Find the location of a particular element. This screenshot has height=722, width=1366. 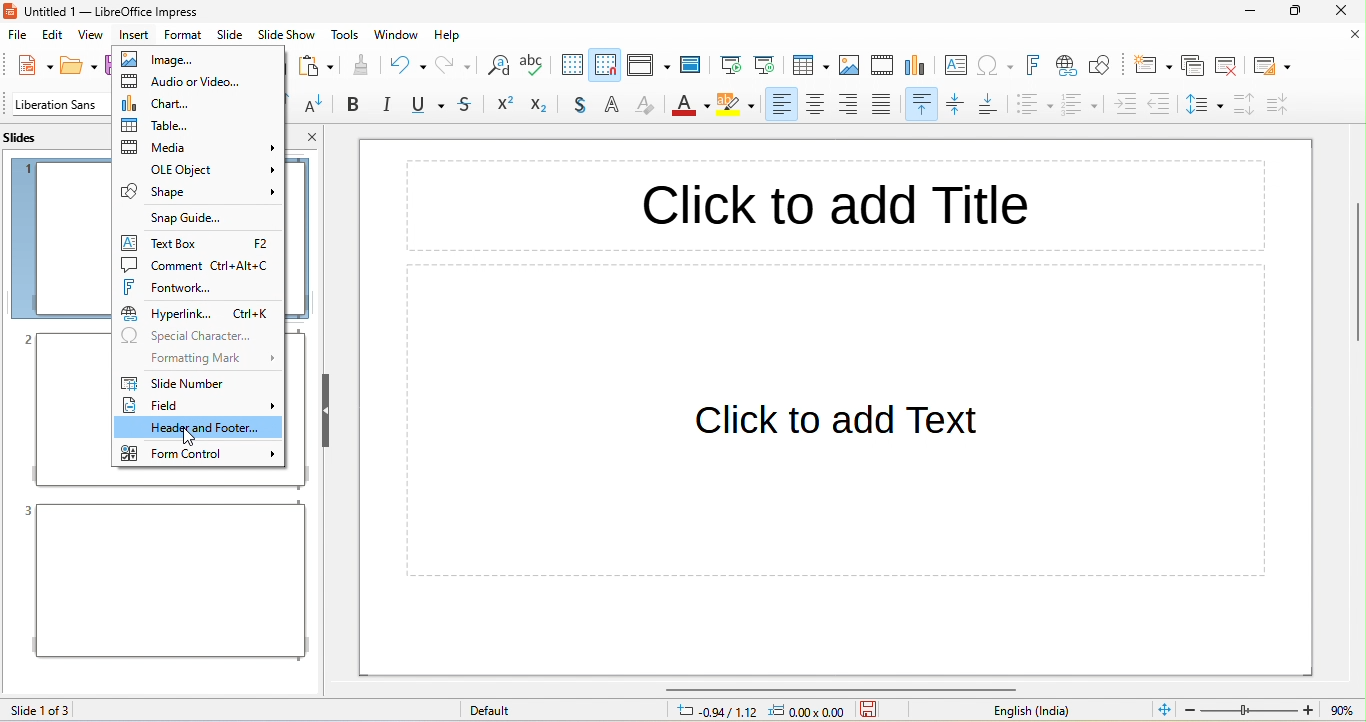

header and footer is located at coordinates (198, 429).